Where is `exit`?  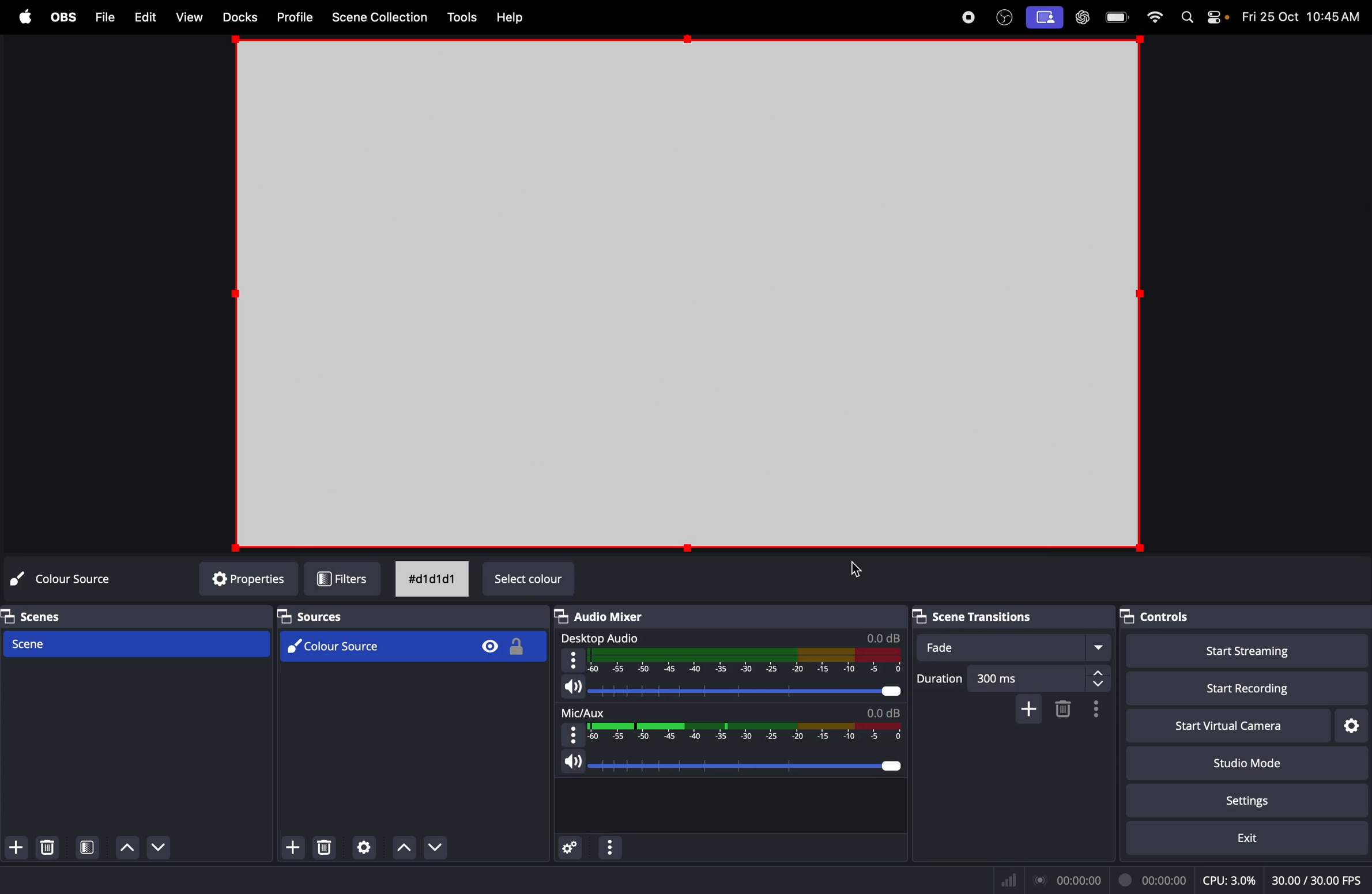
exit is located at coordinates (1238, 839).